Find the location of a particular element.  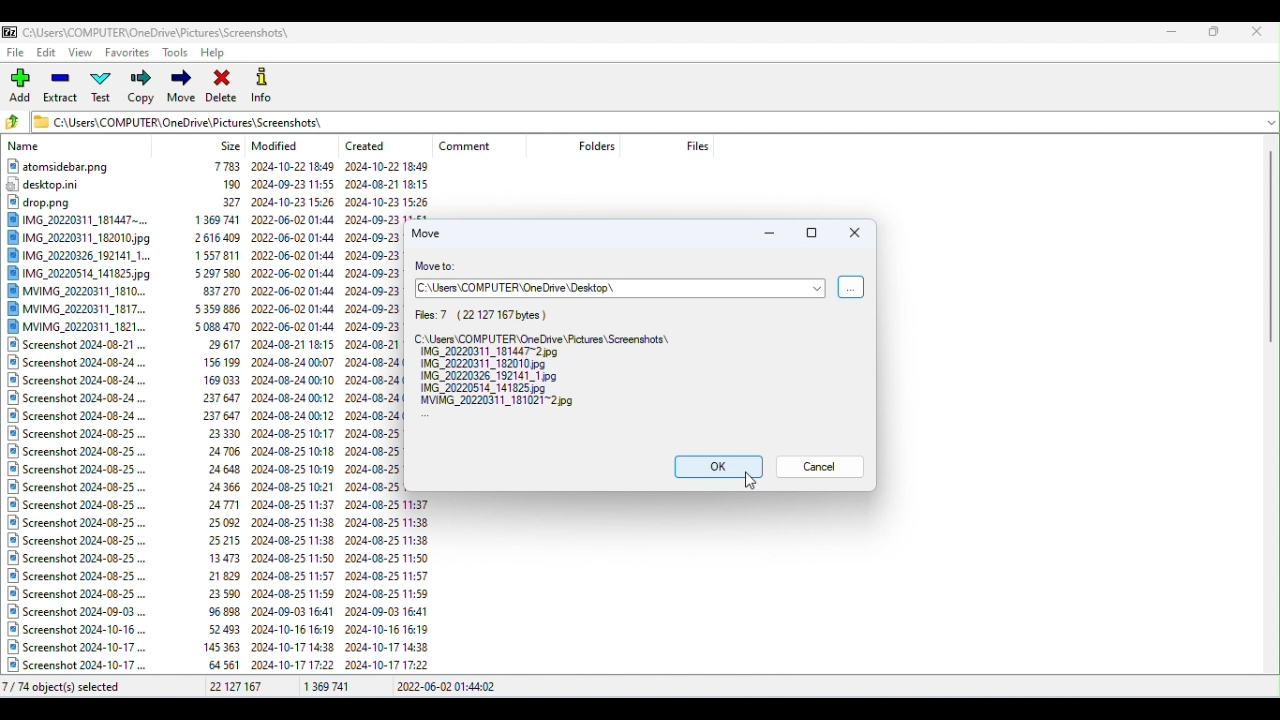

Info is located at coordinates (264, 84).